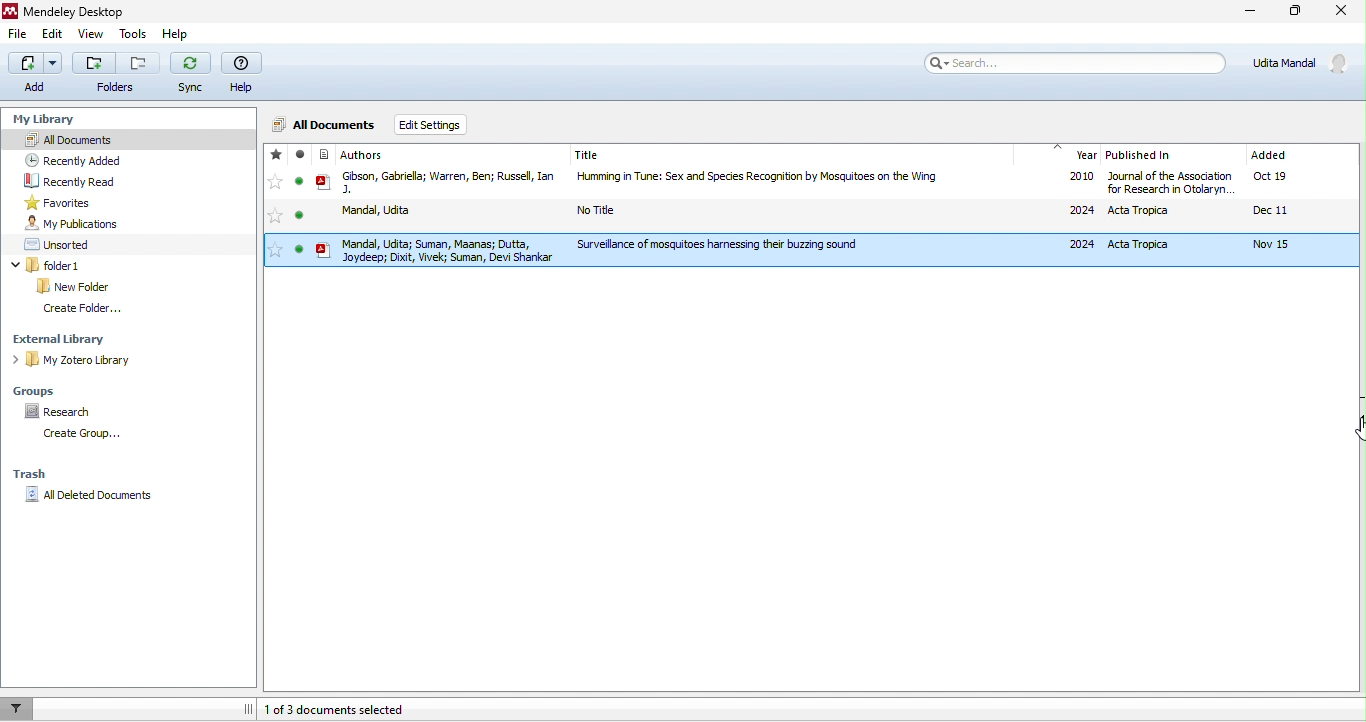 Image resolution: width=1366 pixels, height=722 pixels. Describe the element at coordinates (1342, 12) in the screenshot. I see `close` at that location.